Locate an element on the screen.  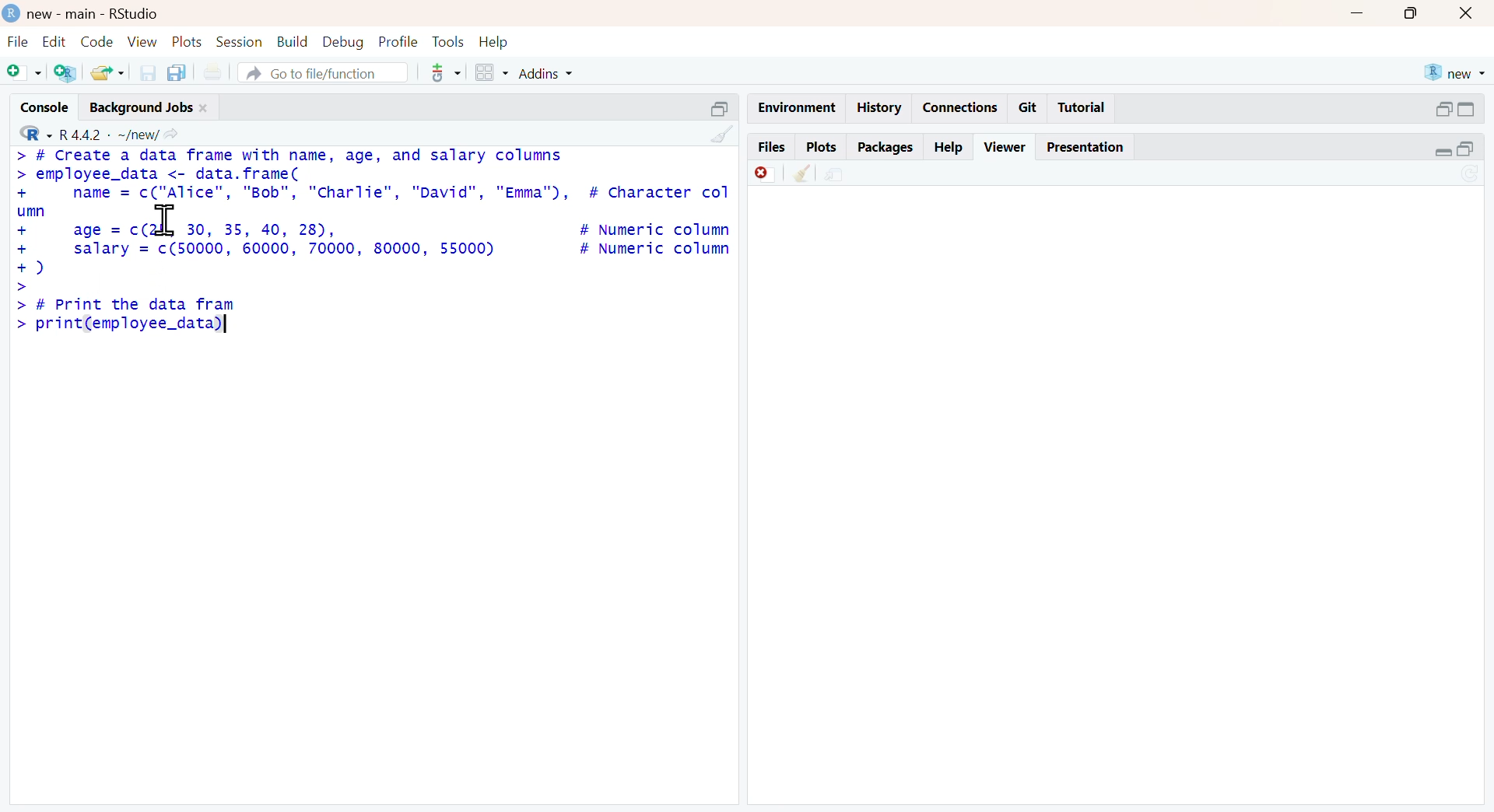
Addins  is located at coordinates (569, 73).